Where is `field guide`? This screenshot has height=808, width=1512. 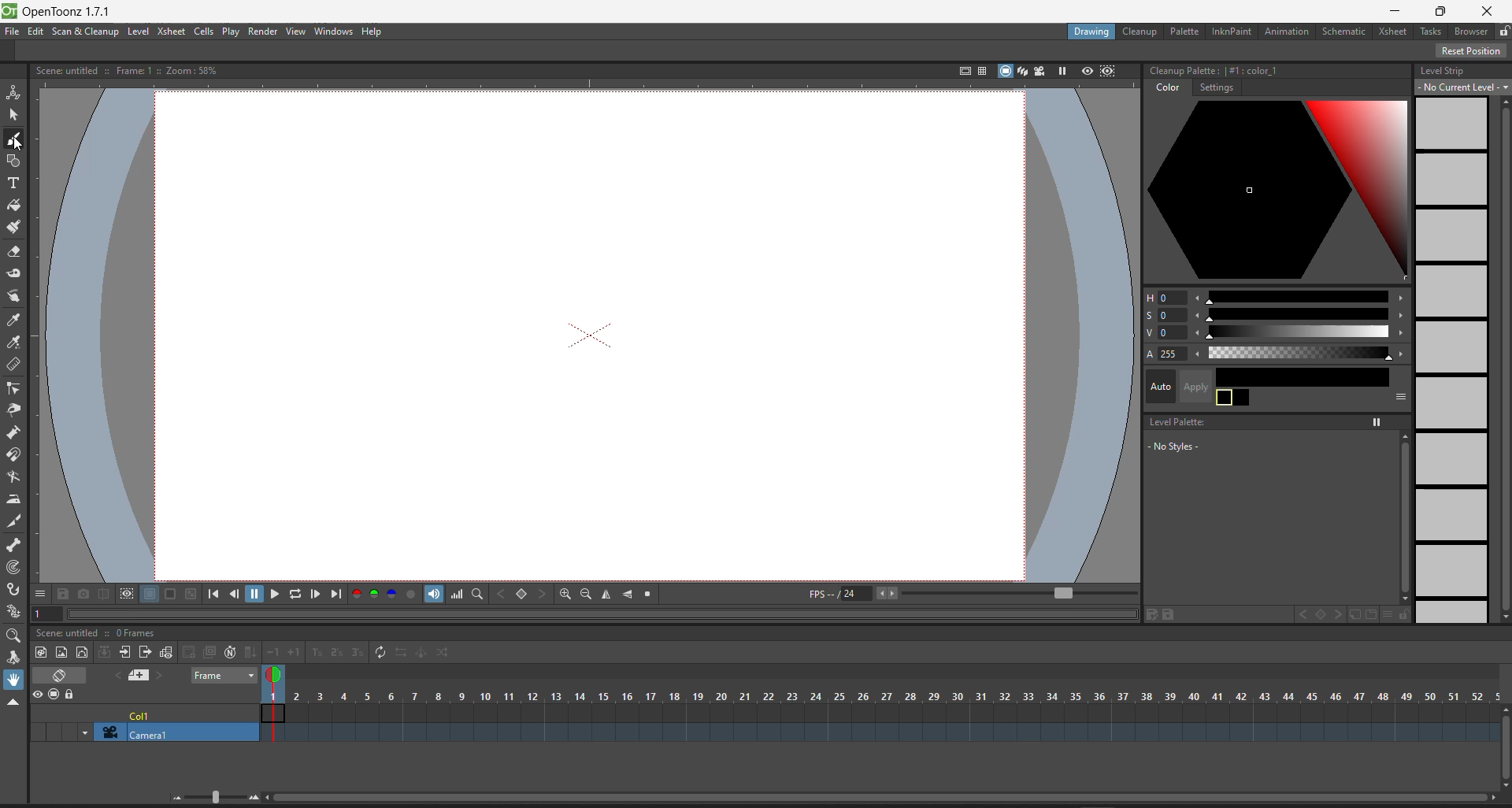
field guide is located at coordinates (981, 70).